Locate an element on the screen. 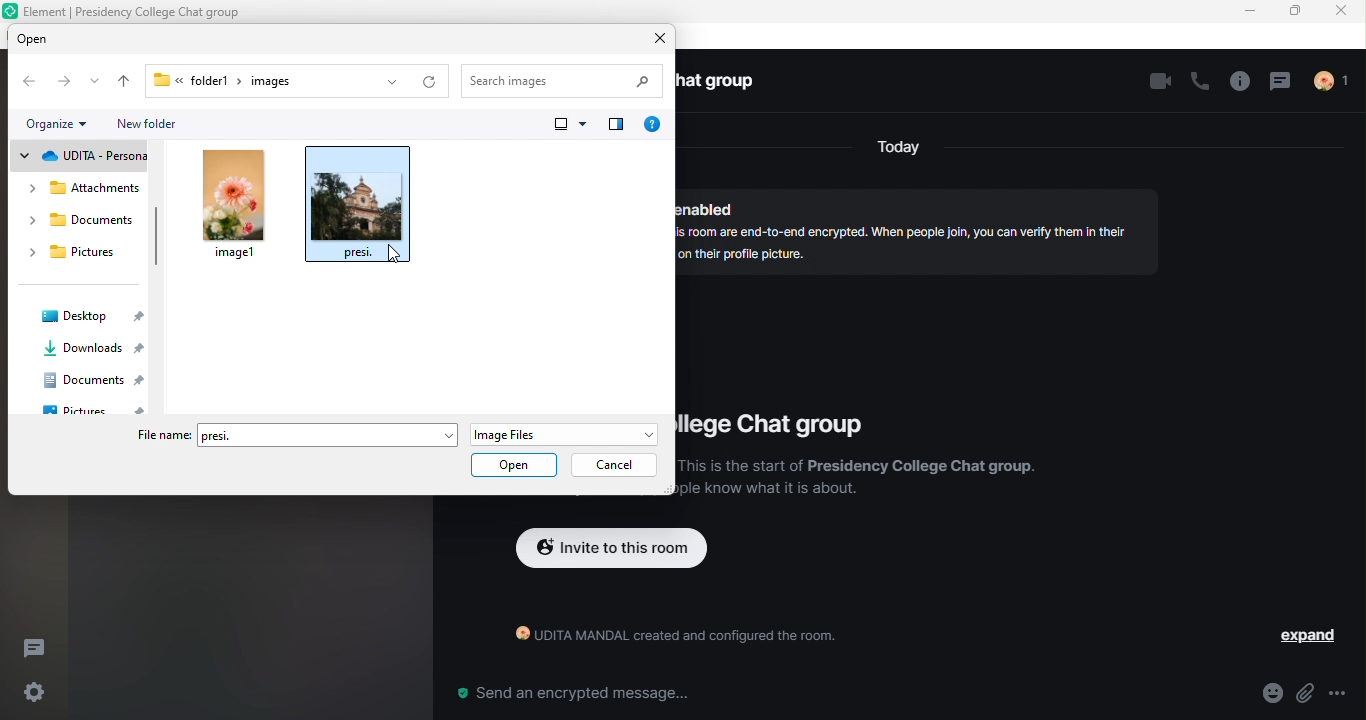 Image resolution: width=1366 pixels, height=720 pixels. settings is located at coordinates (31, 693).